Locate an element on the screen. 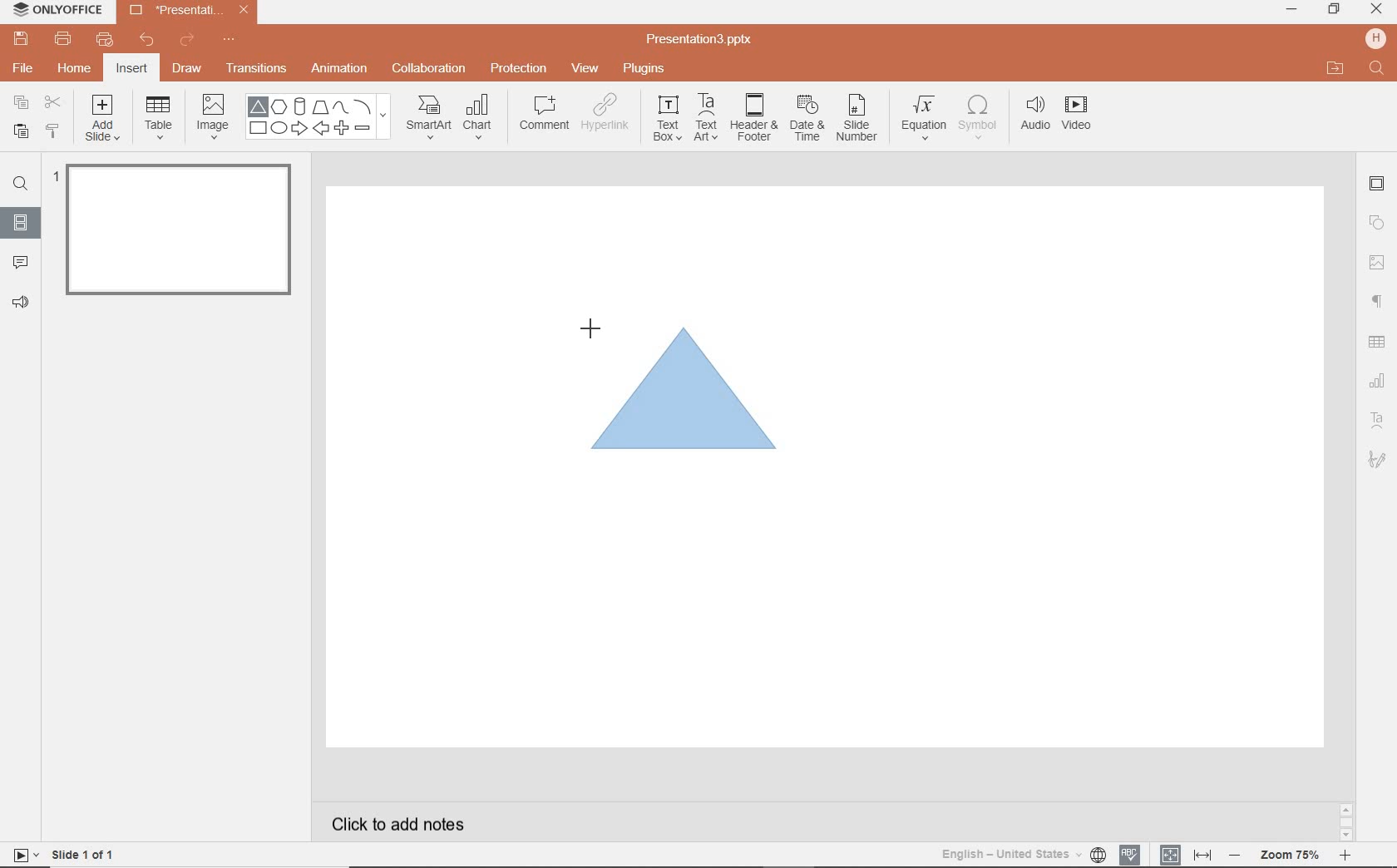 The height and width of the screenshot is (868, 1397). AUDIO is located at coordinates (1031, 115).